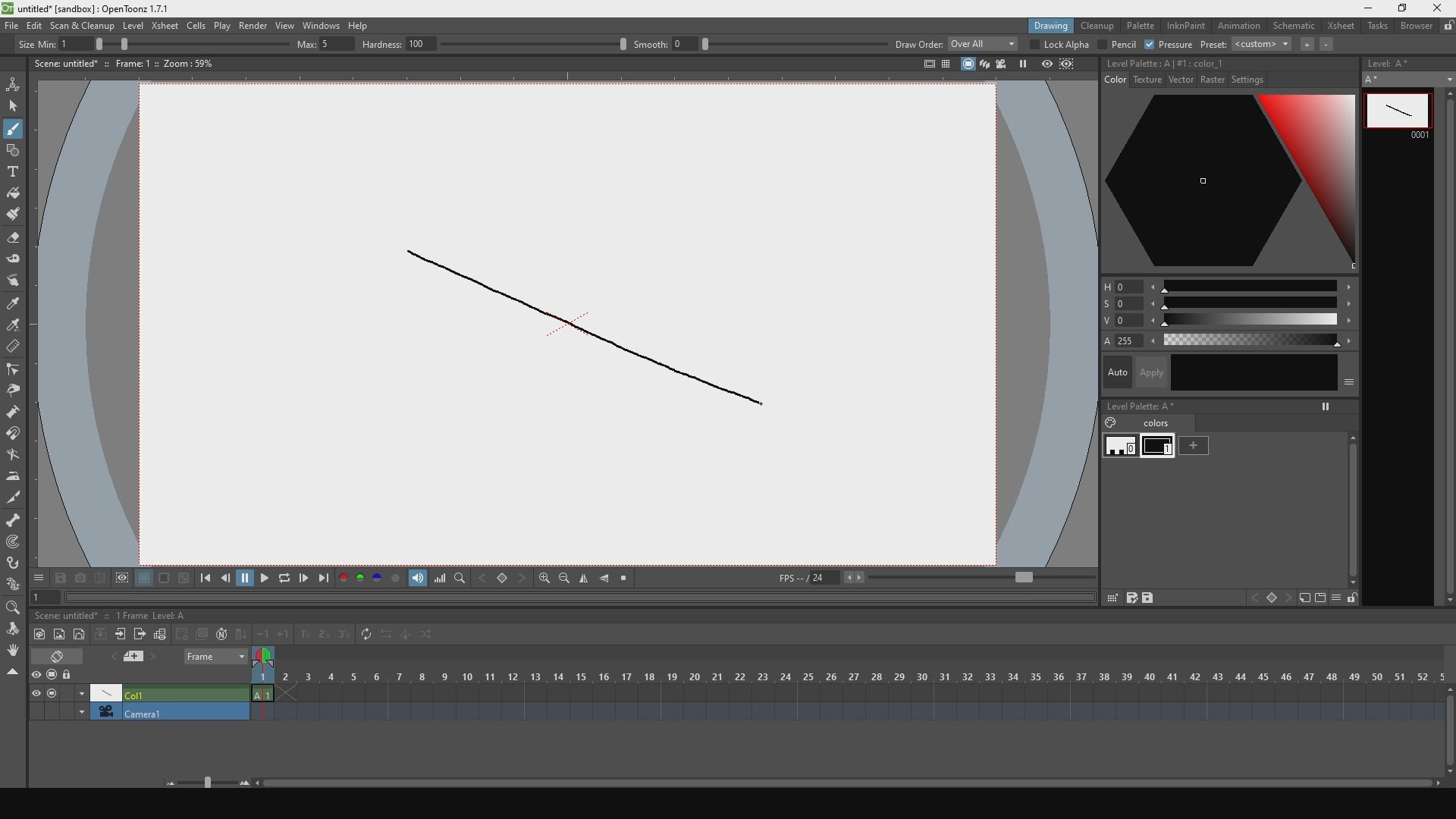 This screenshot has height=819, width=1456. Describe the element at coordinates (1397, 118) in the screenshot. I see `line` at that location.